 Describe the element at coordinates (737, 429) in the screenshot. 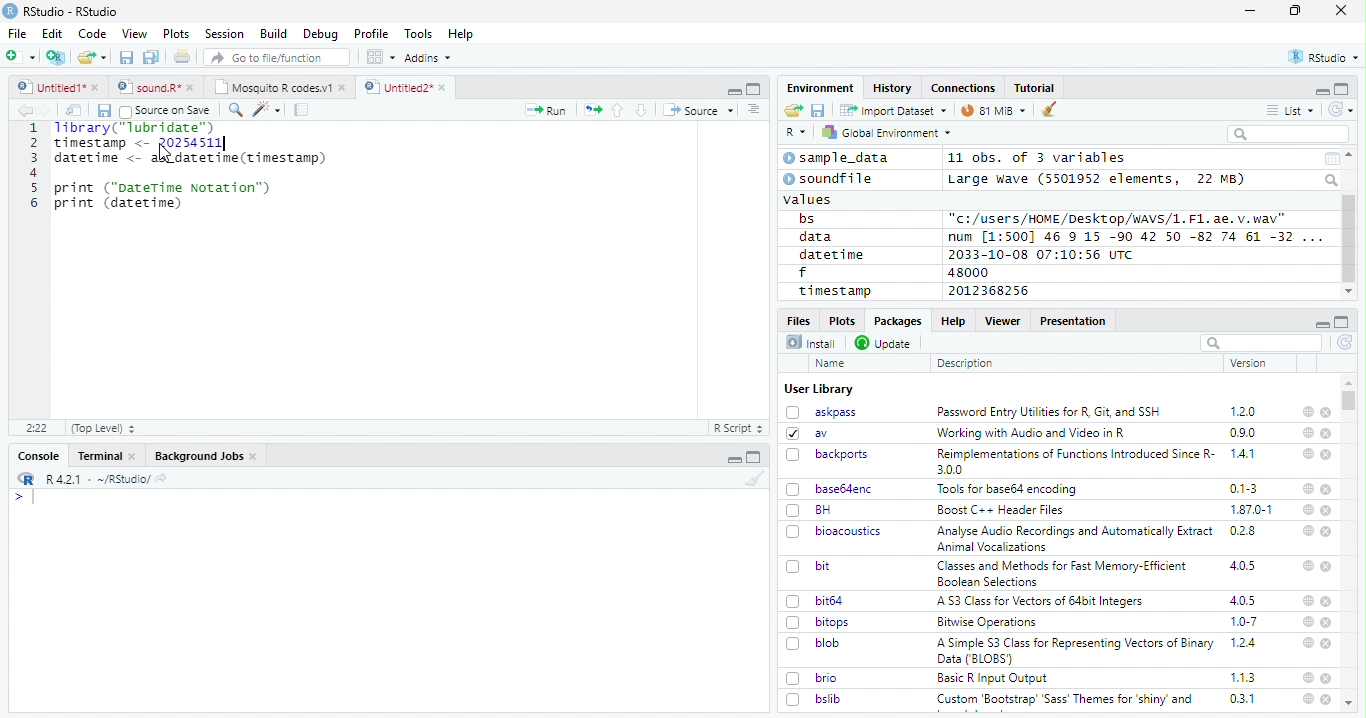

I see `R Script` at that location.